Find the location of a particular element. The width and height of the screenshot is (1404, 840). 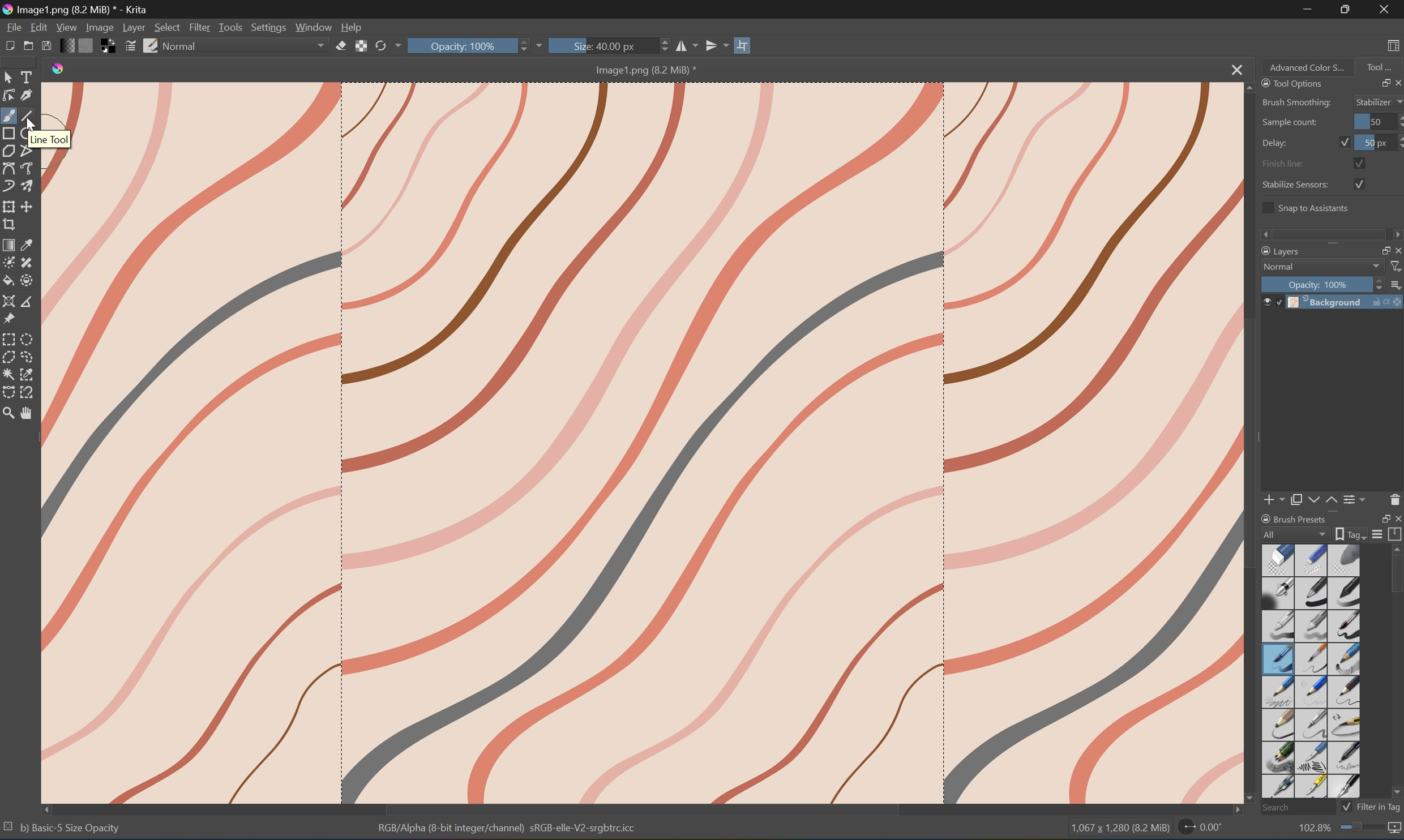

Locked is located at coordinates (1279, 302).